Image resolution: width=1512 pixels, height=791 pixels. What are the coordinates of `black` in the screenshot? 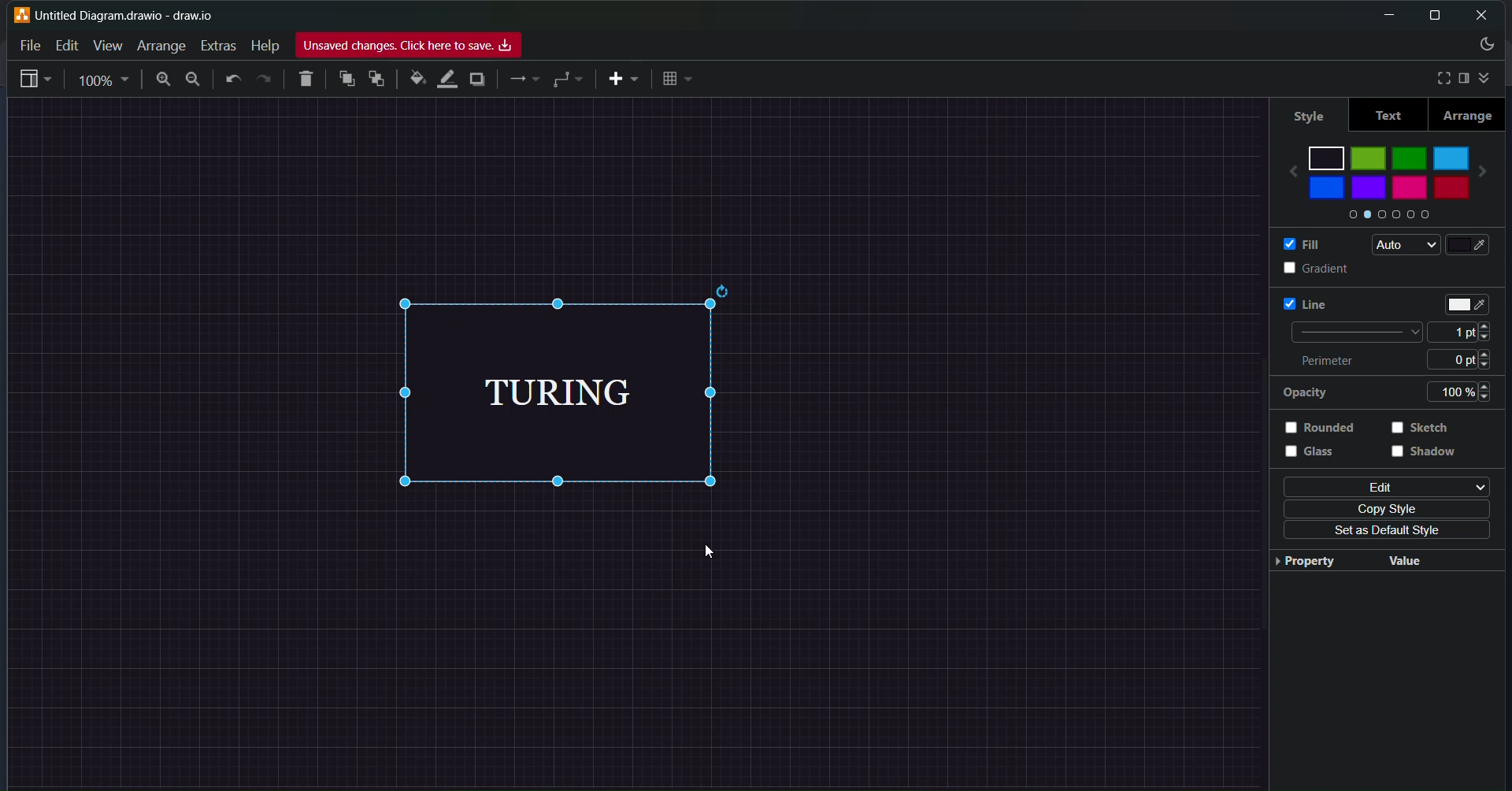 It's located at (1327, 155).